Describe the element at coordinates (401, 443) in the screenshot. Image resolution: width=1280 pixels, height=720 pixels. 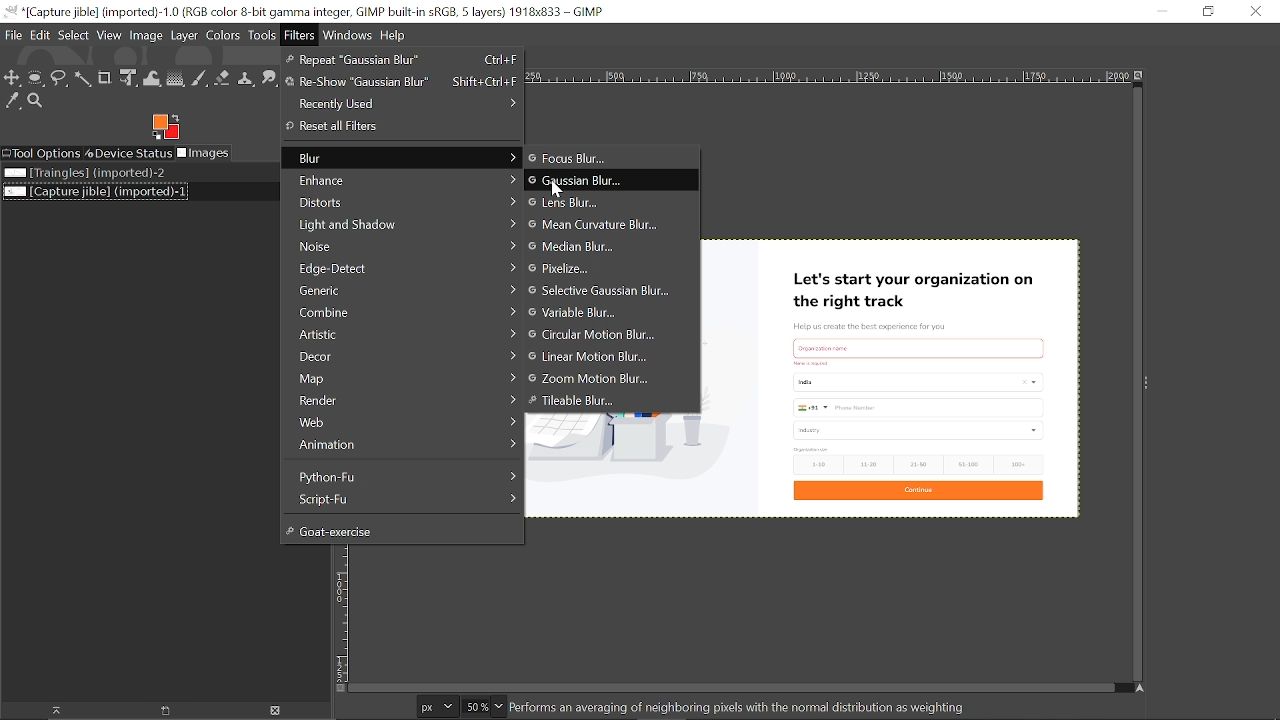
I see `Animation` at that location.